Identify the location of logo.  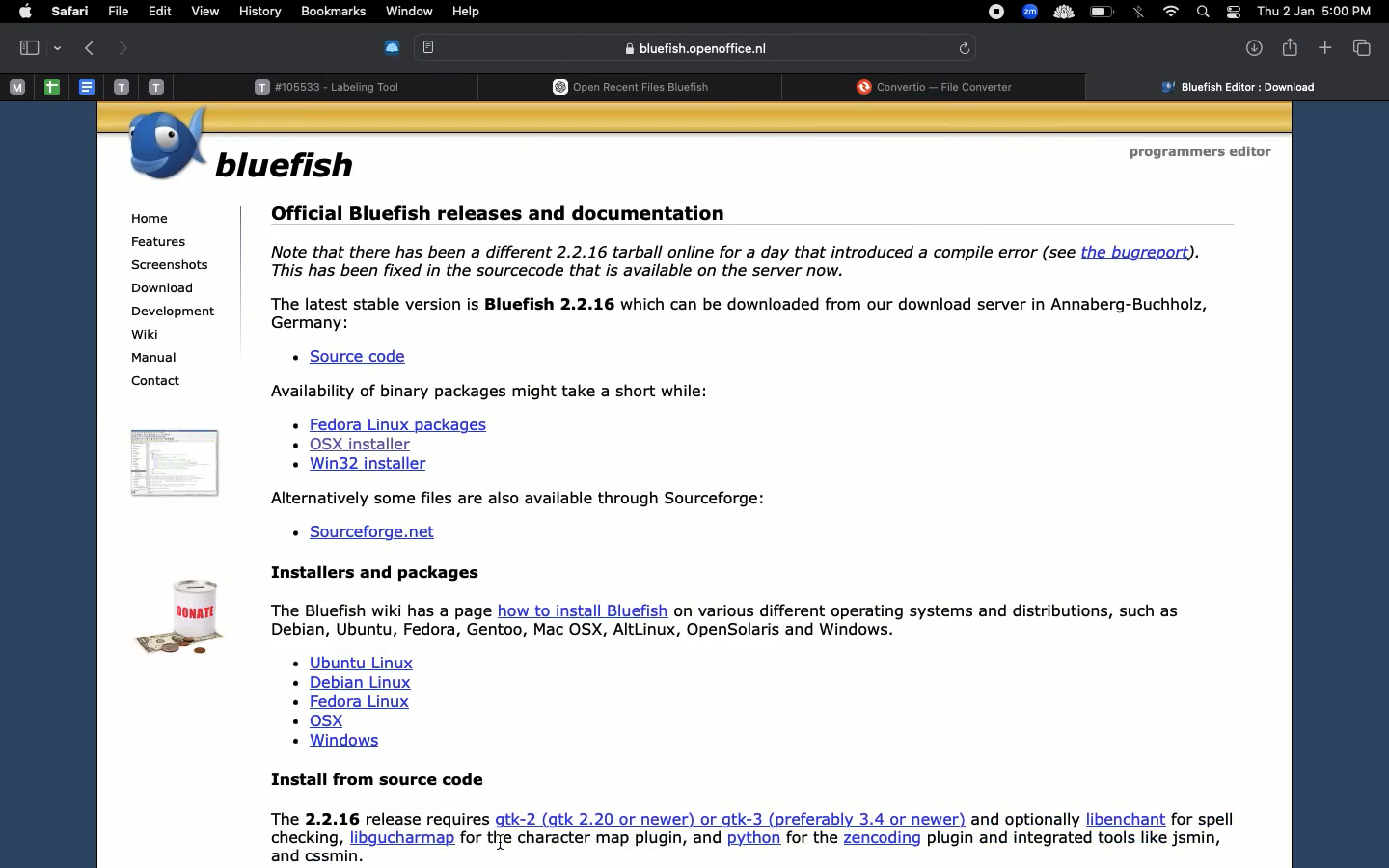
(166, 146).